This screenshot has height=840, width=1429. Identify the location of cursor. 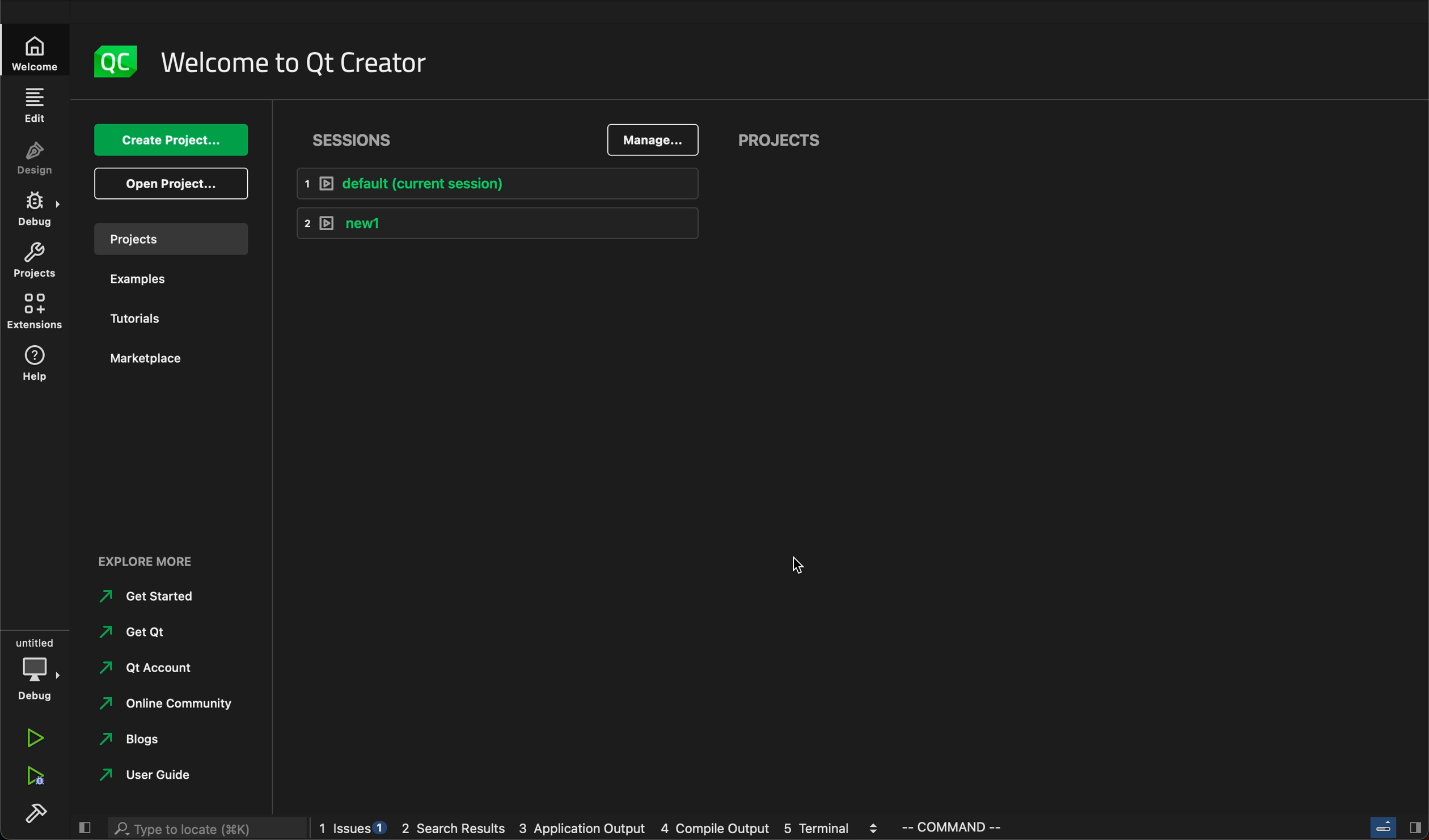
(794, 561).